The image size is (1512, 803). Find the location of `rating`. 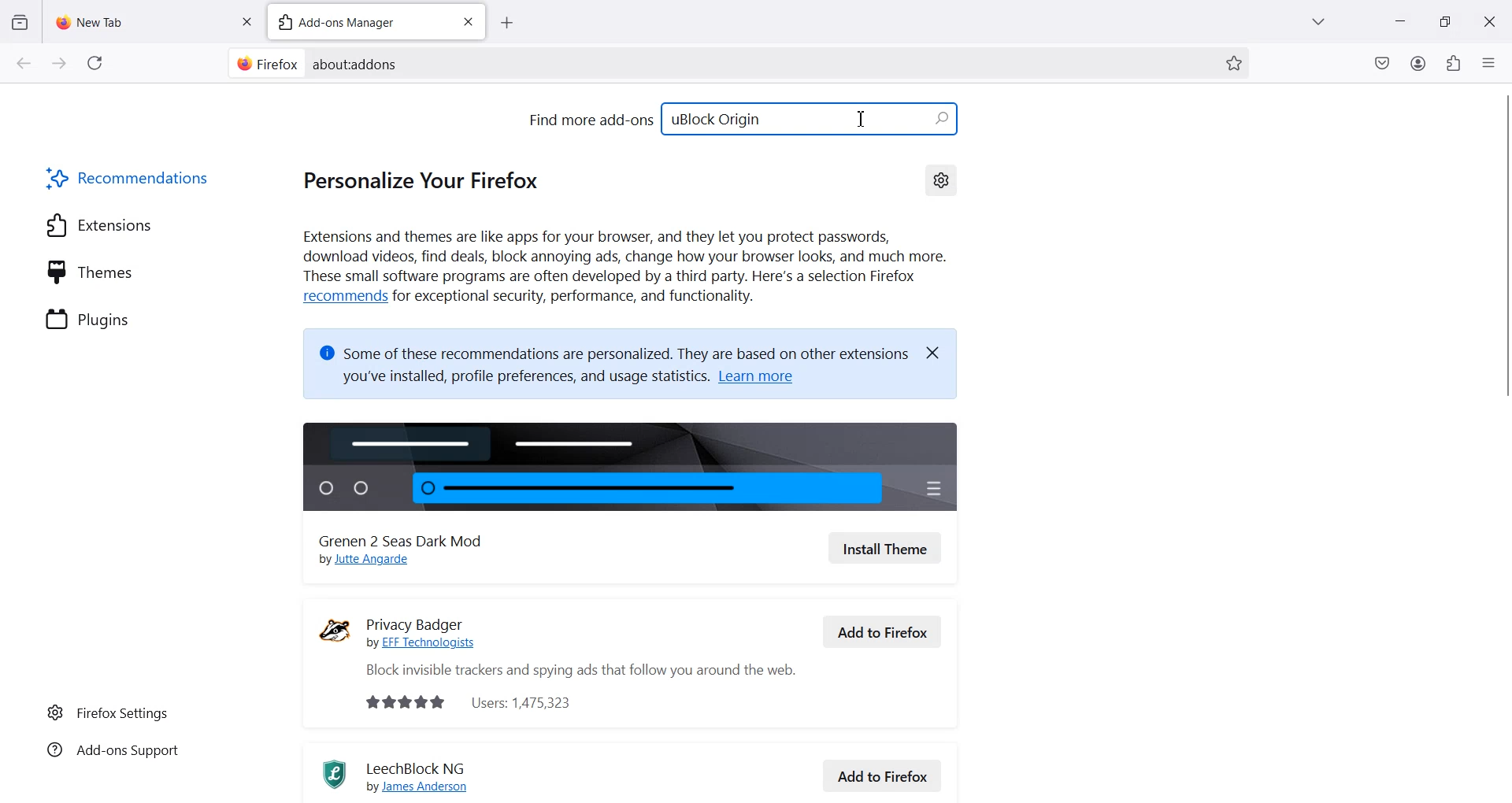

rating is located at coordinates (398, 702).